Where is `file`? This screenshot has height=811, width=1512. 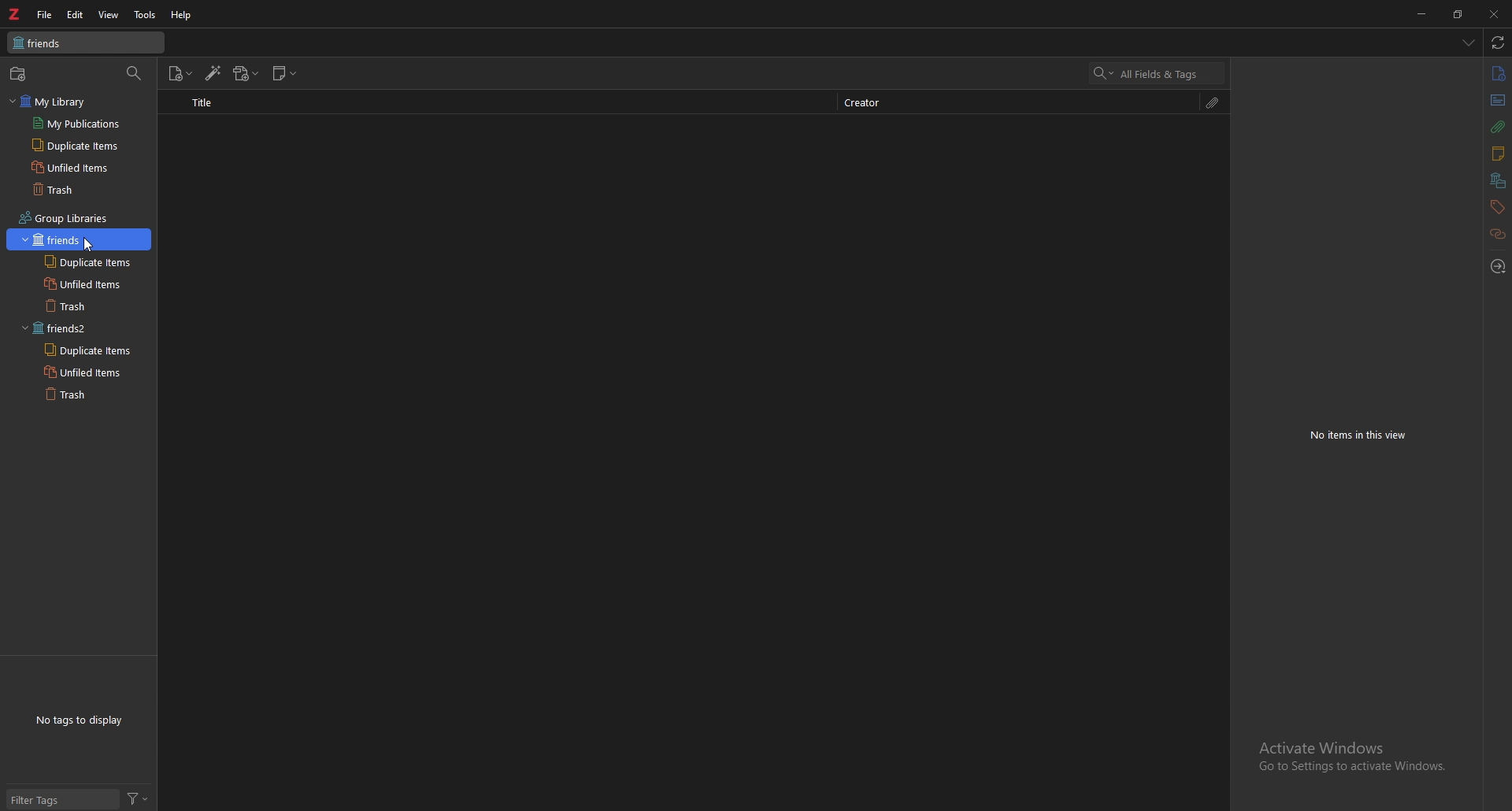
file is located at coordinates (45, 15).